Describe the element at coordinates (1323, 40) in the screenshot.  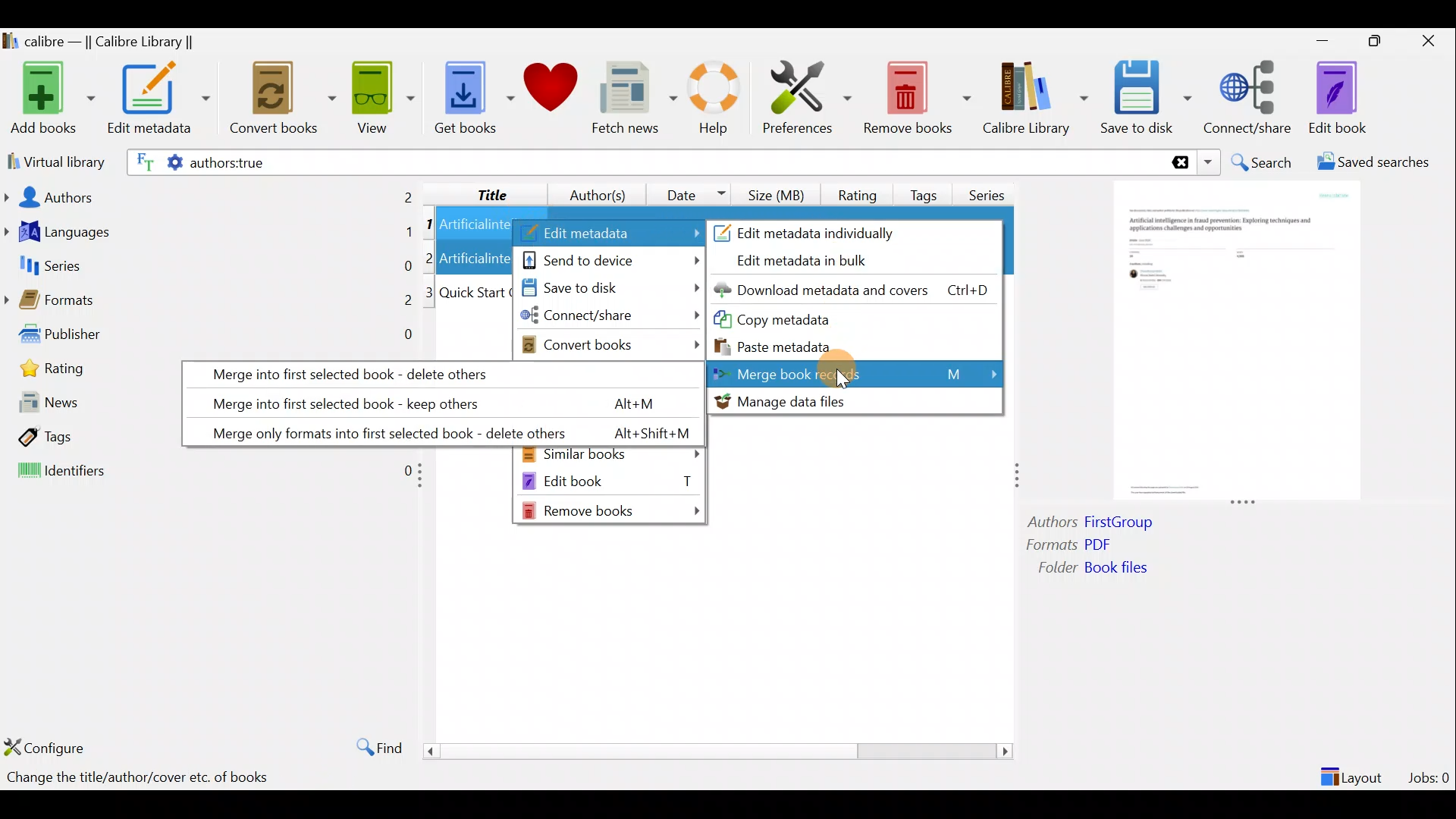
I see `Minimize` at that location.